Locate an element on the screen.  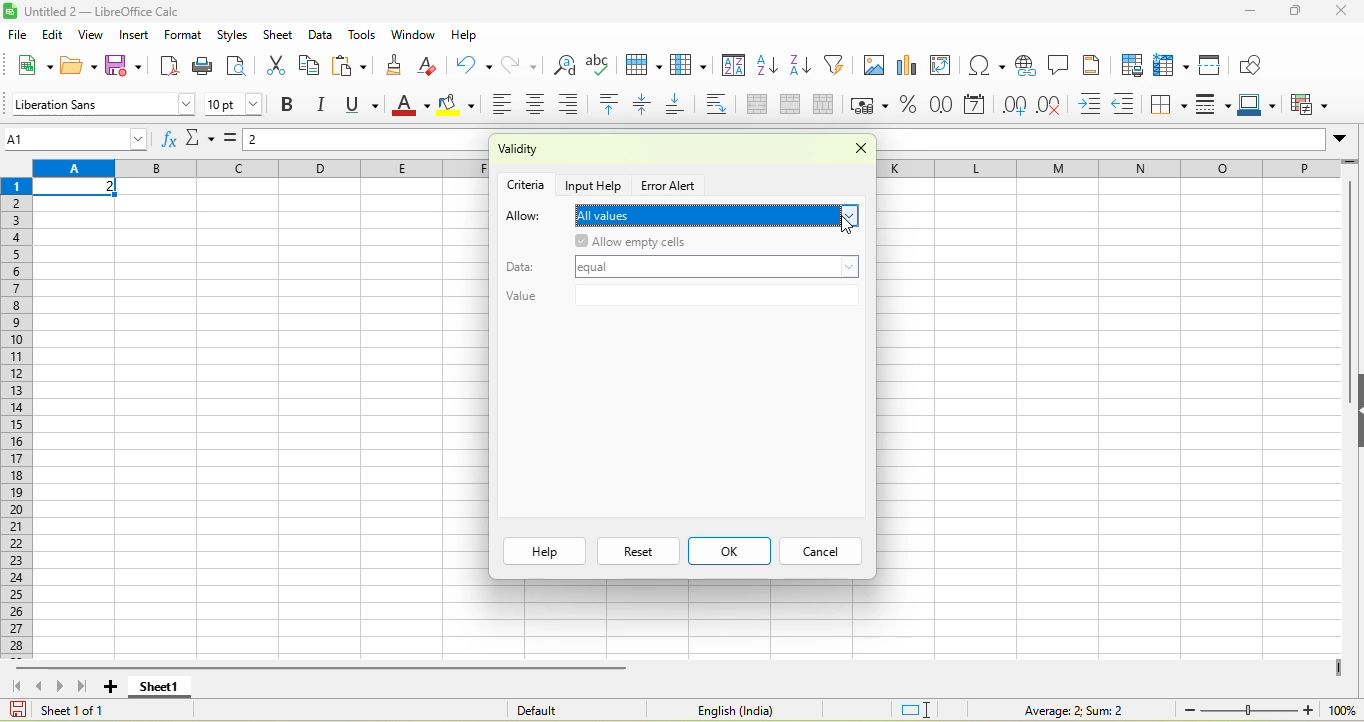
undo is located at coordinates (473, 64).